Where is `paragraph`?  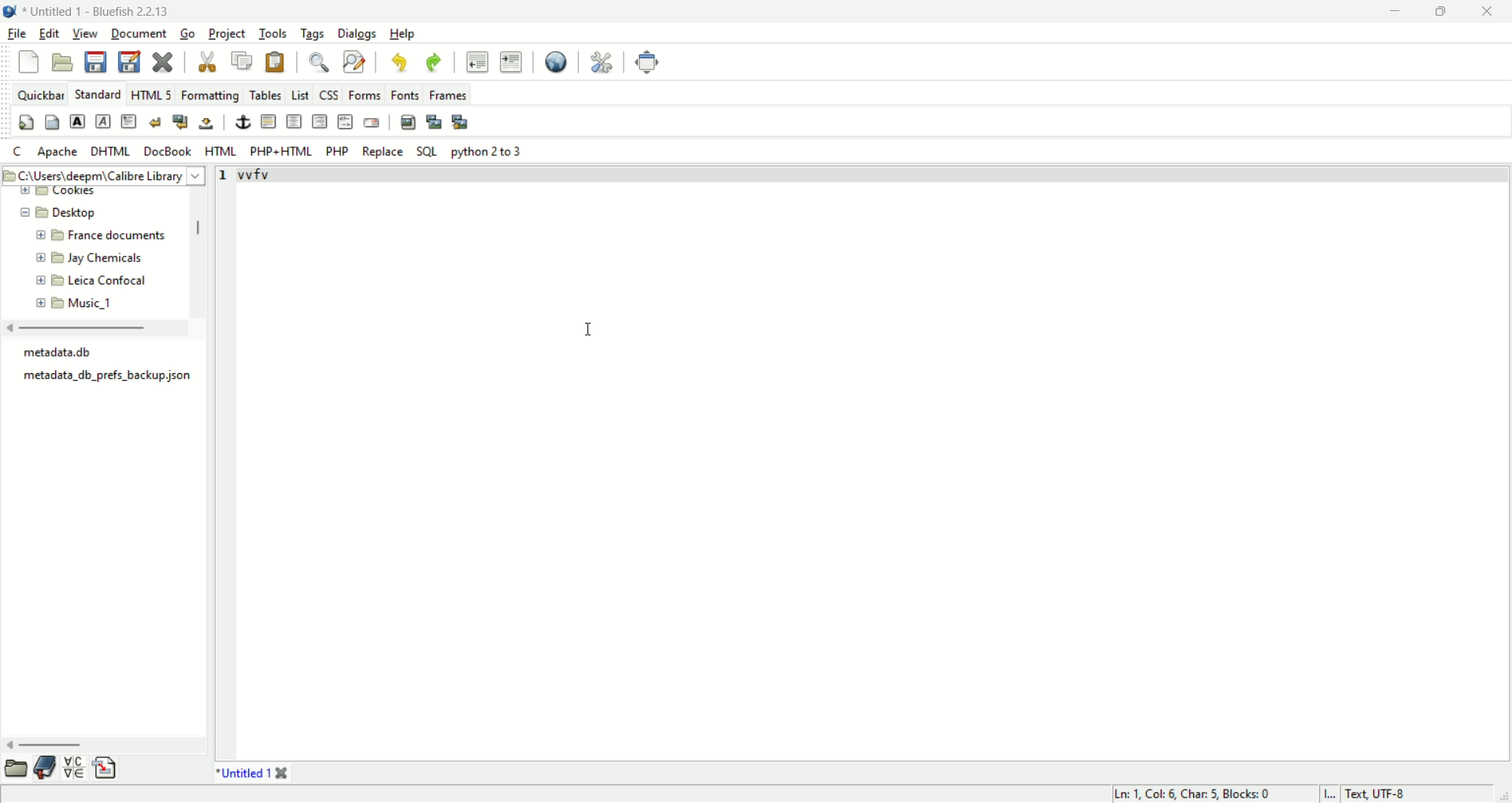
paragraph is located at coordinates (128, 123).